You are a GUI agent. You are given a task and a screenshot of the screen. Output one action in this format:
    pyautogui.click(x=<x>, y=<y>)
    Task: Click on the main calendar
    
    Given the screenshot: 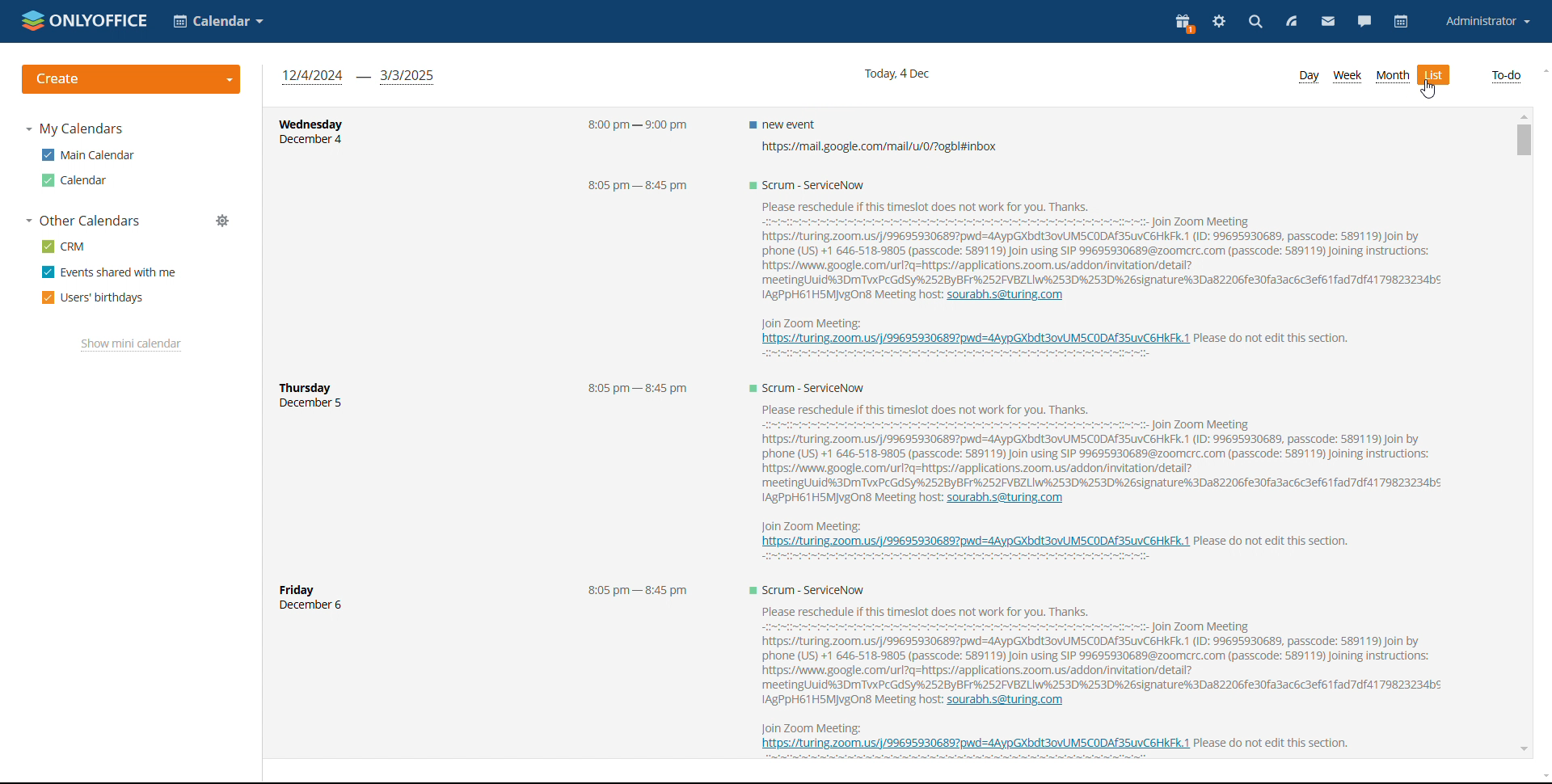 What is the action you would take?
    pyautogui.click(x=86, y=155)
    